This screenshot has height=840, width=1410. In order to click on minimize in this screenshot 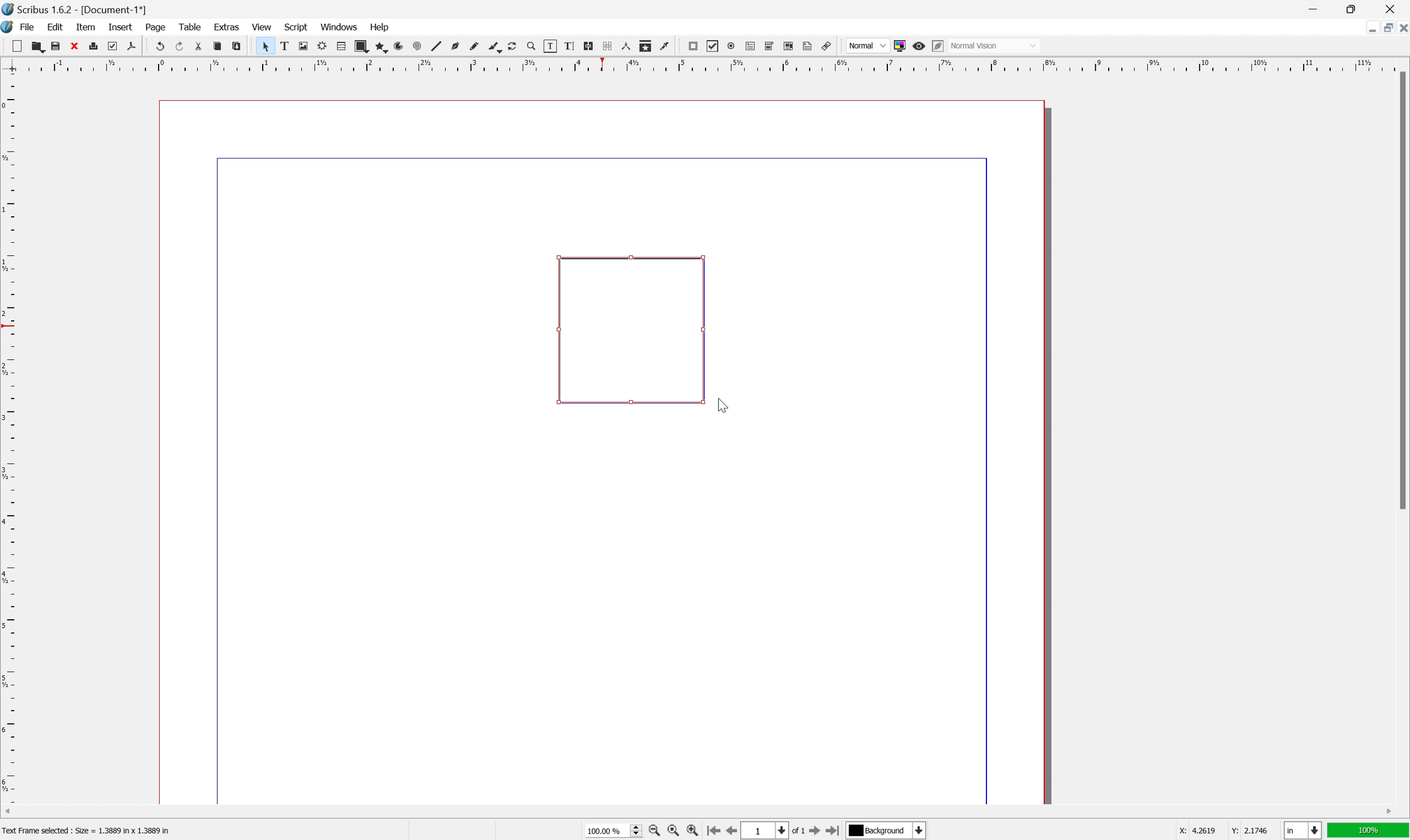, I will do `click(1312, 8)`.